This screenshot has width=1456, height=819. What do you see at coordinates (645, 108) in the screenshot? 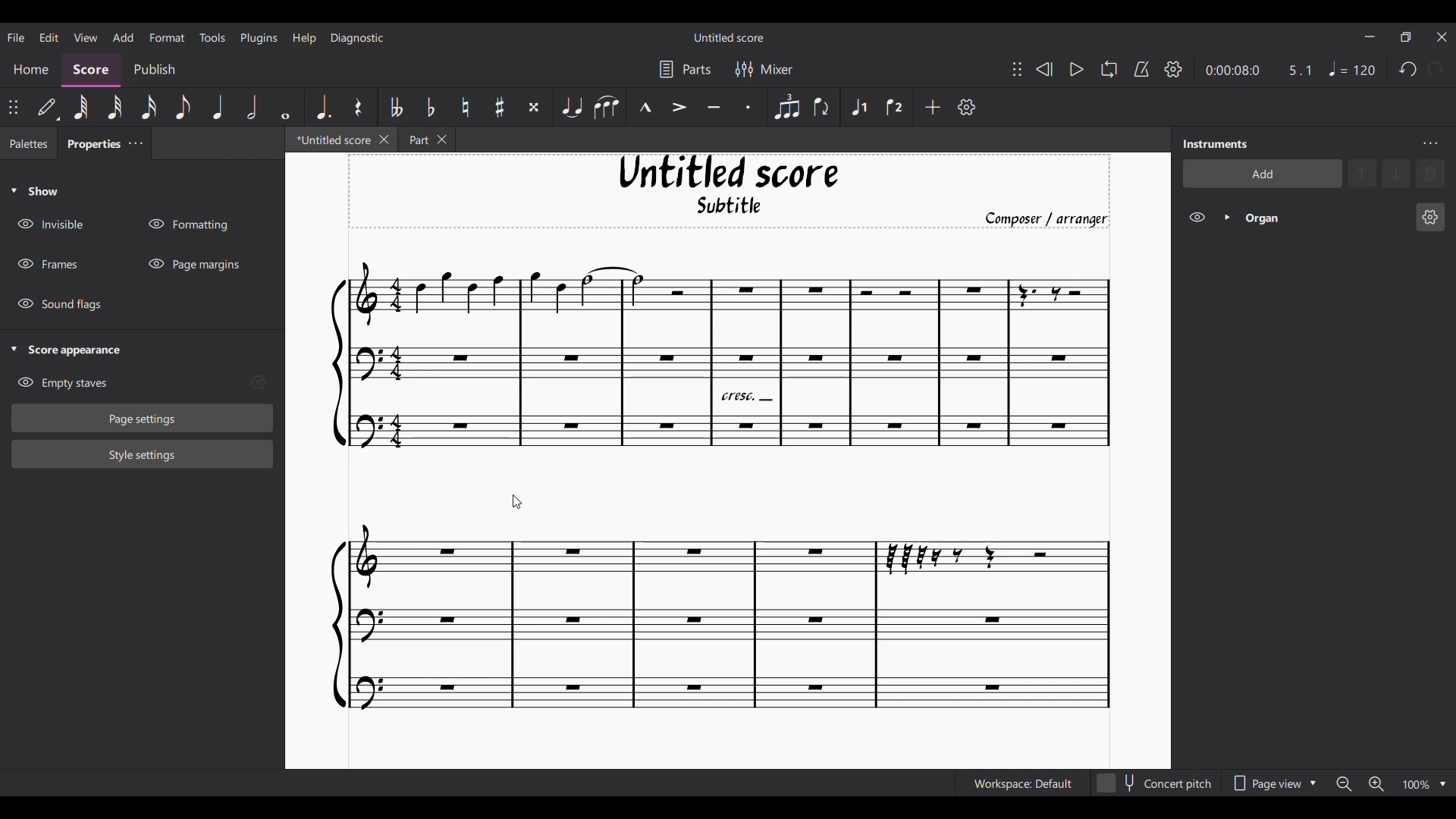
I see `Marcato` at bounding box center [645, 108].